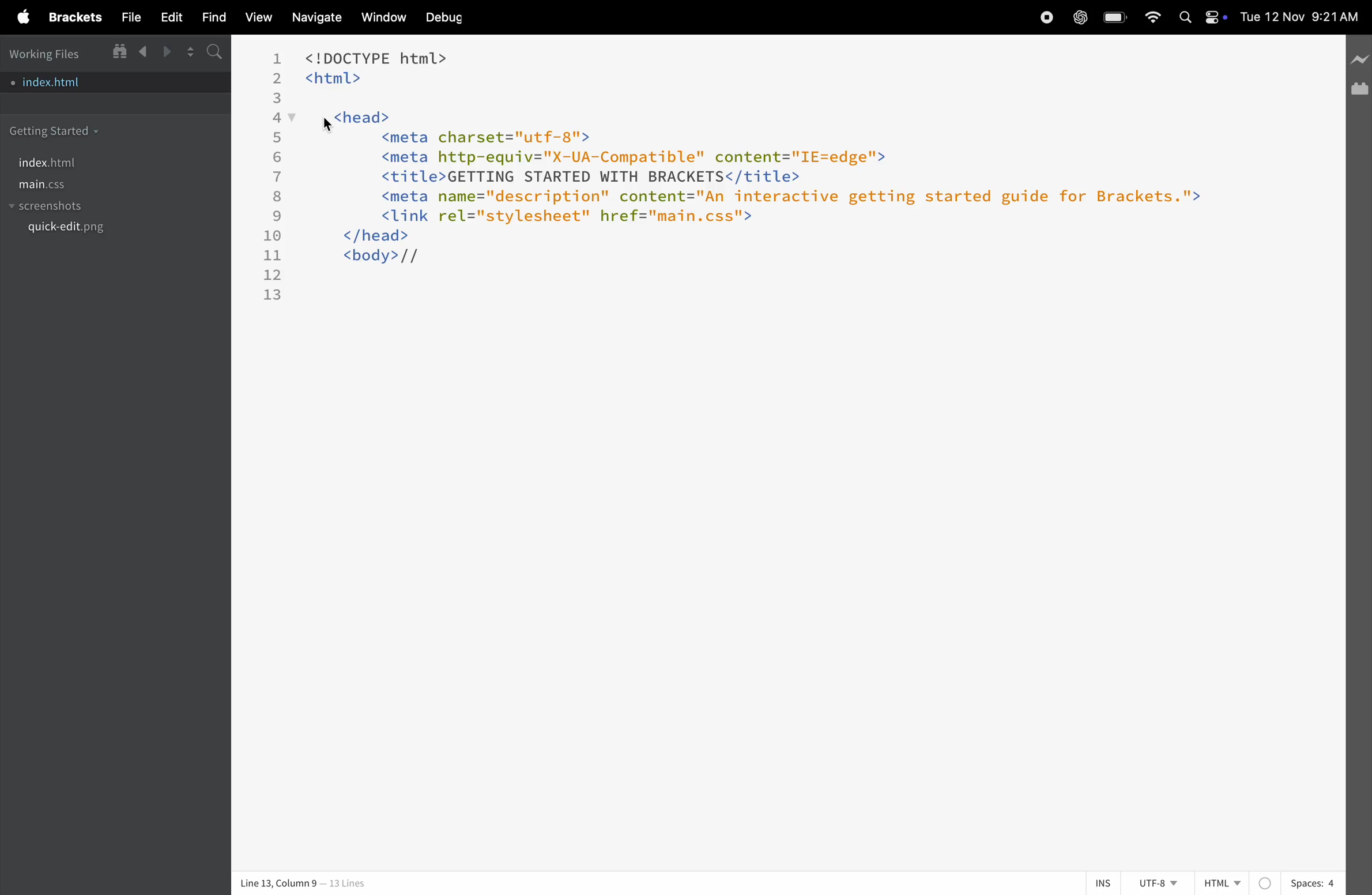 Image resolution: width=1372 pixels, height=895 pixels. What do you see at coordinates (1095, 883) in the screenshot?
I see `ins` at bounding box center [1095, 883].